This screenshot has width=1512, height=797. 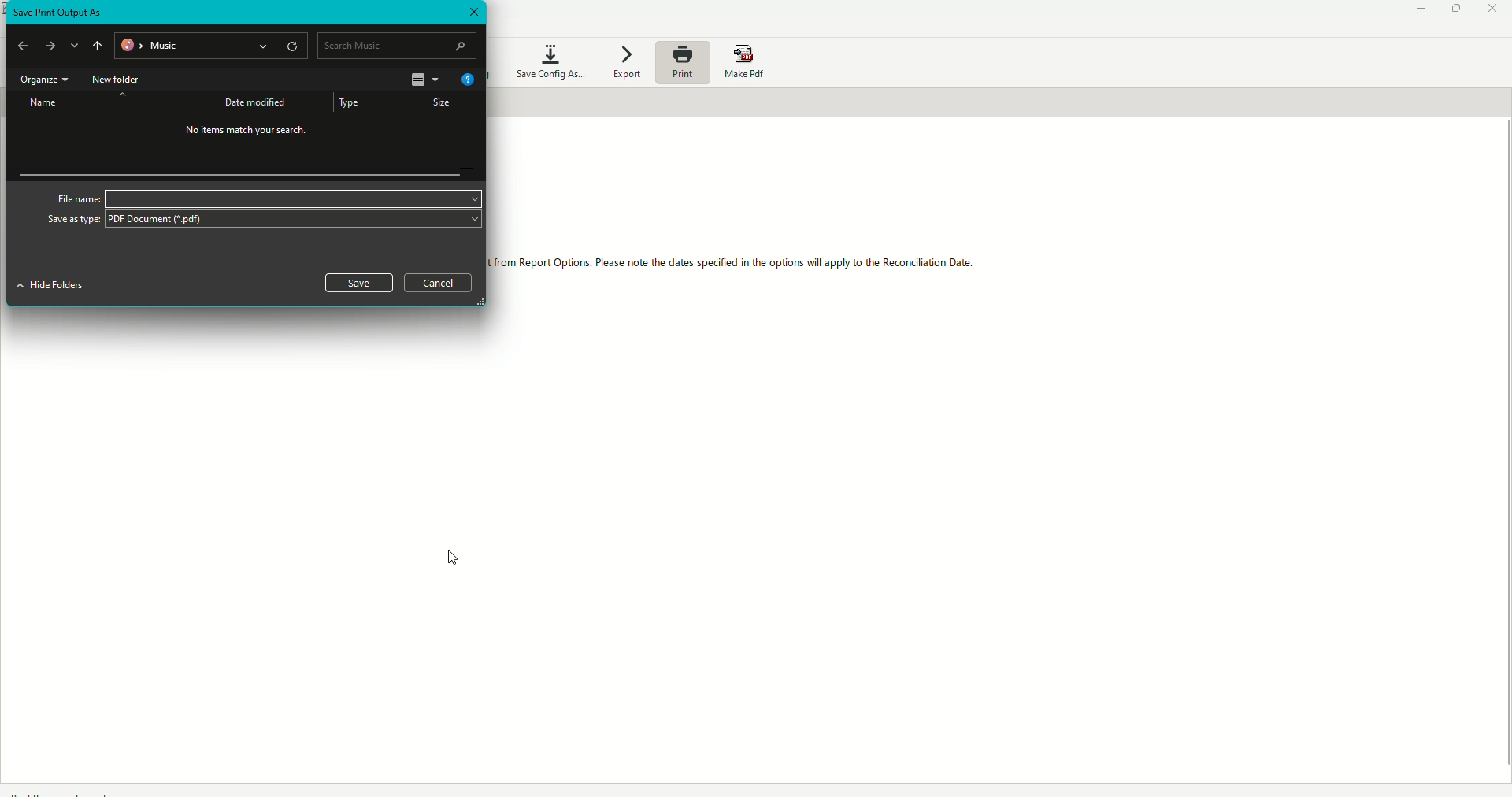 I want to click on Cancel, so click(x=439, y=284).